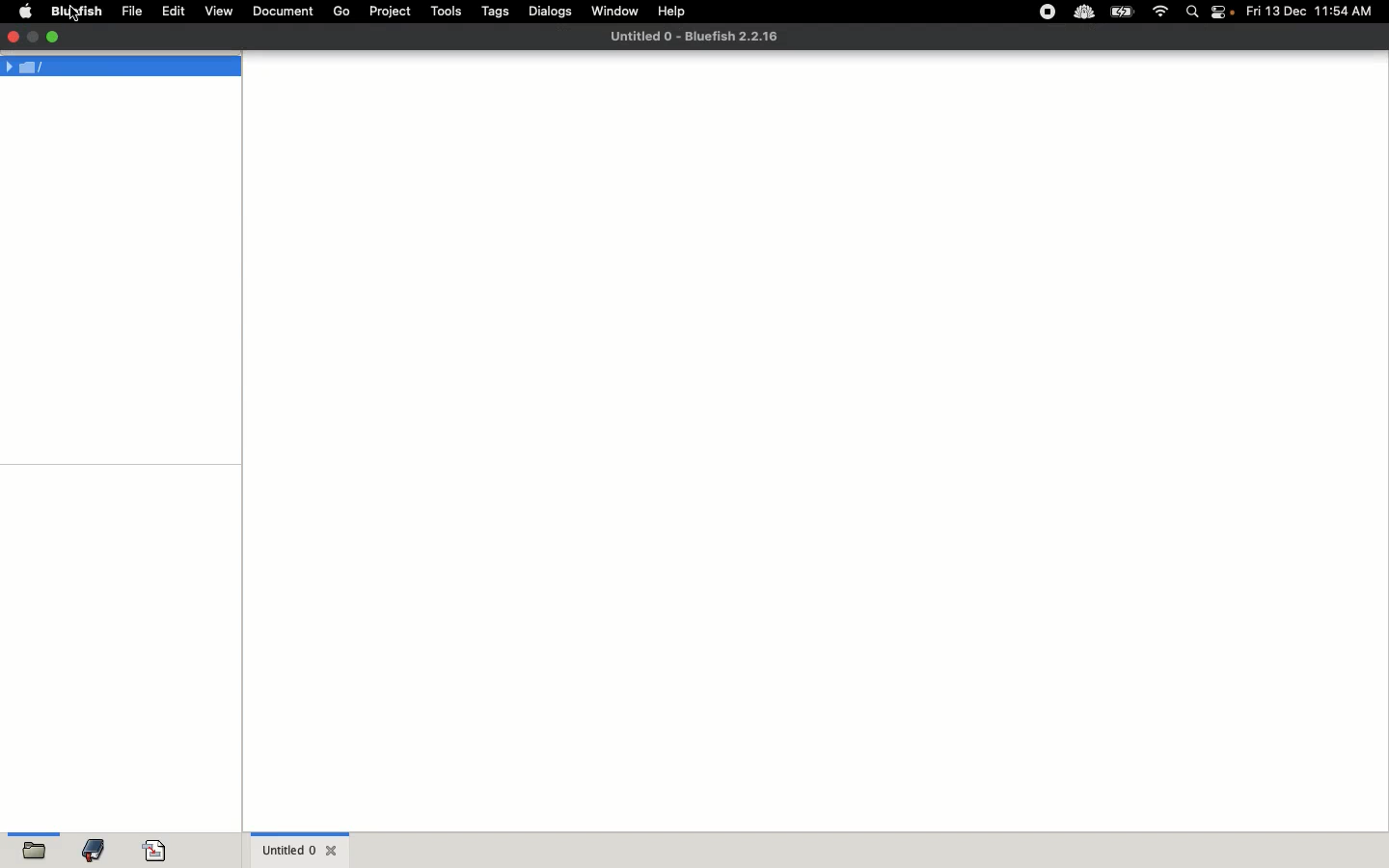  Describe the element at coordinates (1122, 14) in the screenshot. I see `Charge` at that location.